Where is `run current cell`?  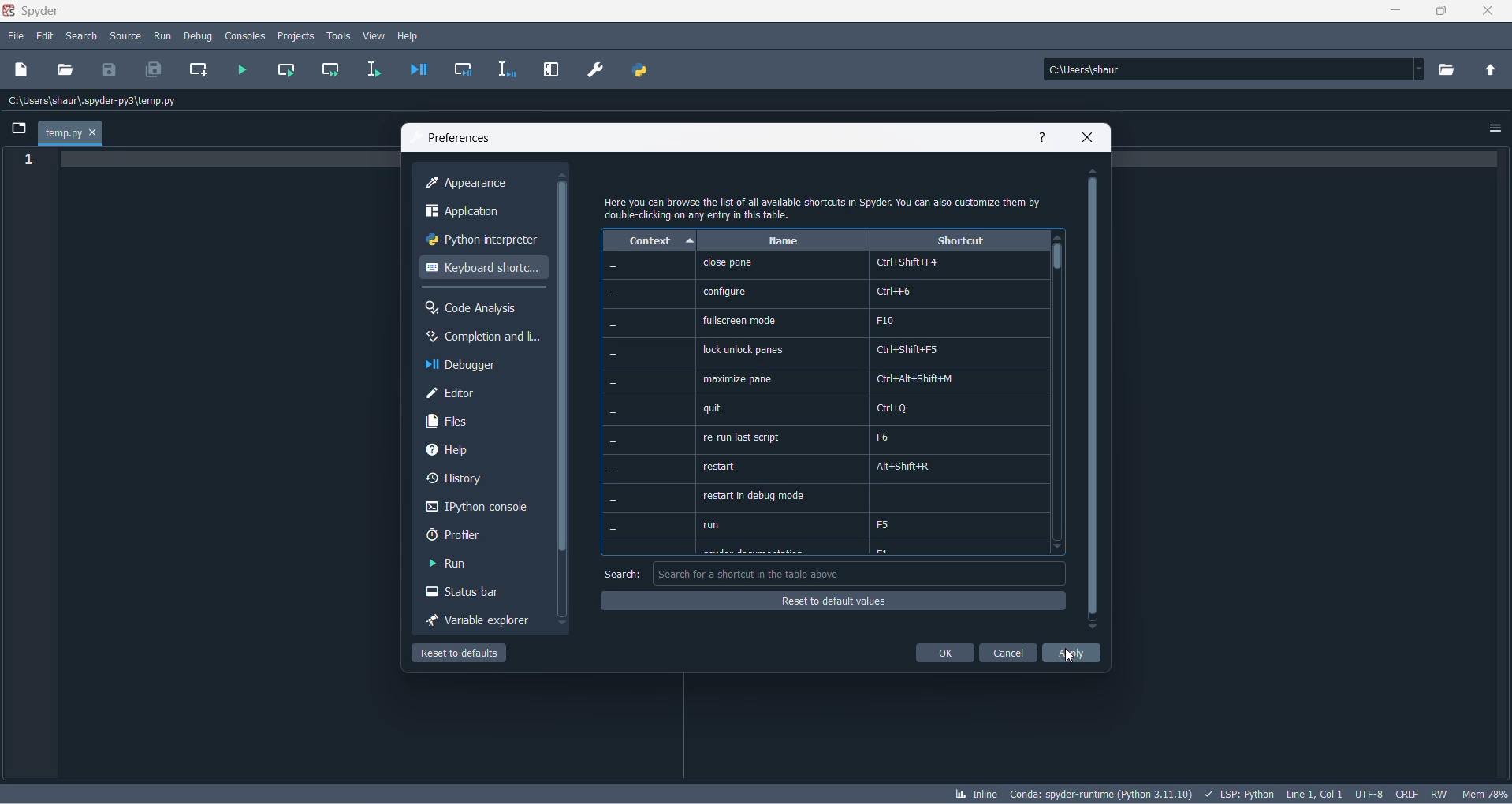 run current cell is located at coordinates (326, 73).